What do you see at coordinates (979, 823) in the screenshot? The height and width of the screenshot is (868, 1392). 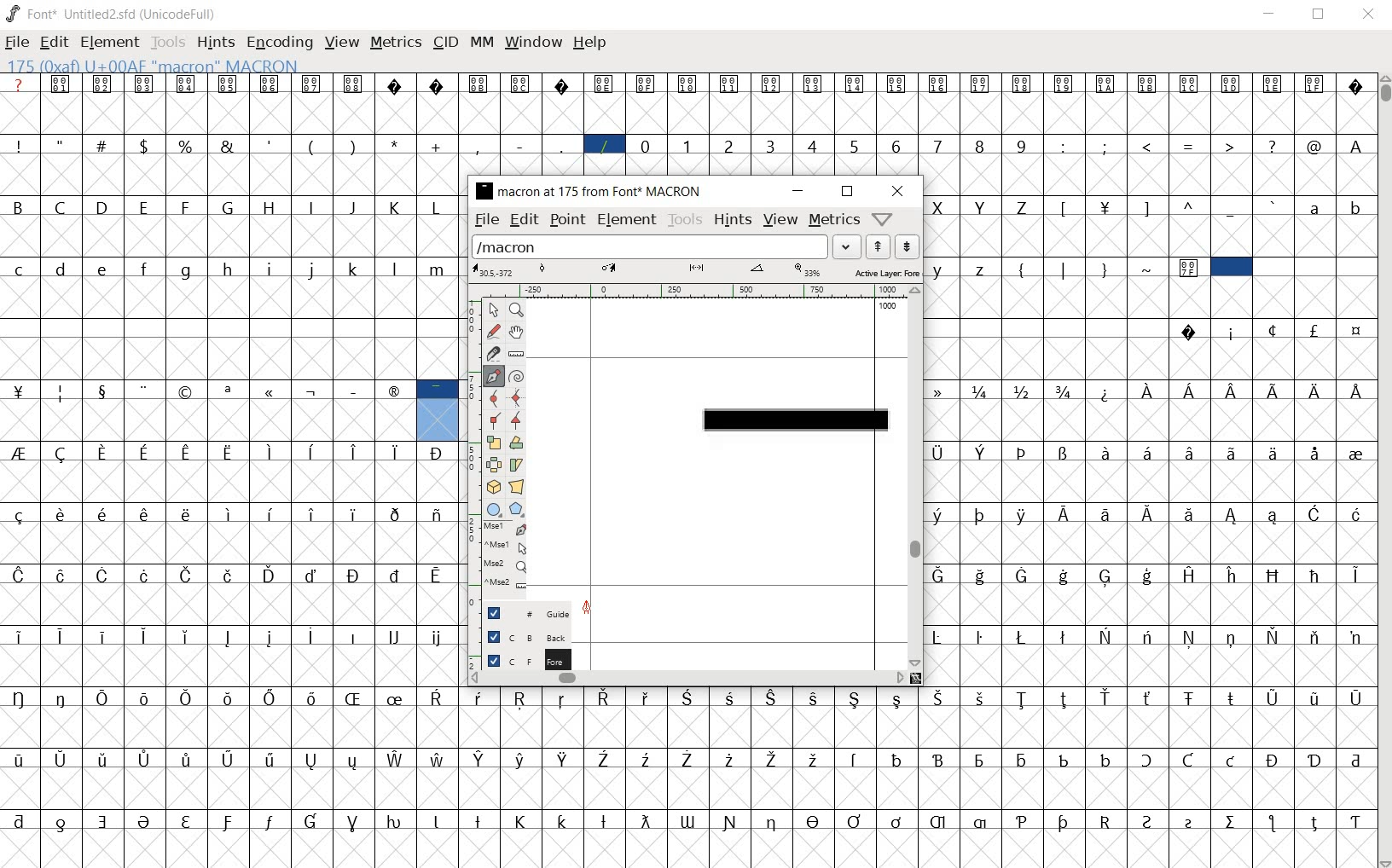 I see `Symbol` at bounding box center [979, 823].